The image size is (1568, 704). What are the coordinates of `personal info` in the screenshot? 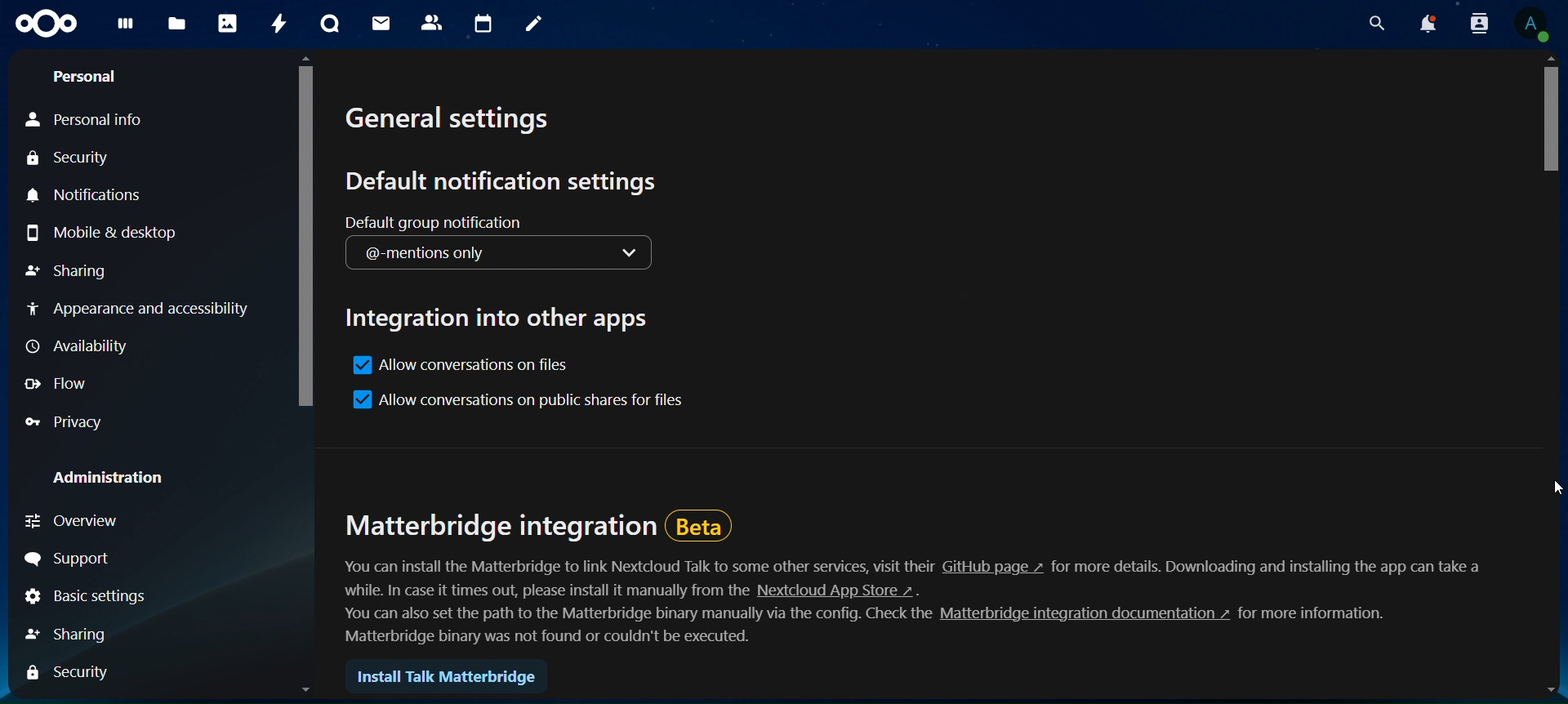 It's located at (89, 118).